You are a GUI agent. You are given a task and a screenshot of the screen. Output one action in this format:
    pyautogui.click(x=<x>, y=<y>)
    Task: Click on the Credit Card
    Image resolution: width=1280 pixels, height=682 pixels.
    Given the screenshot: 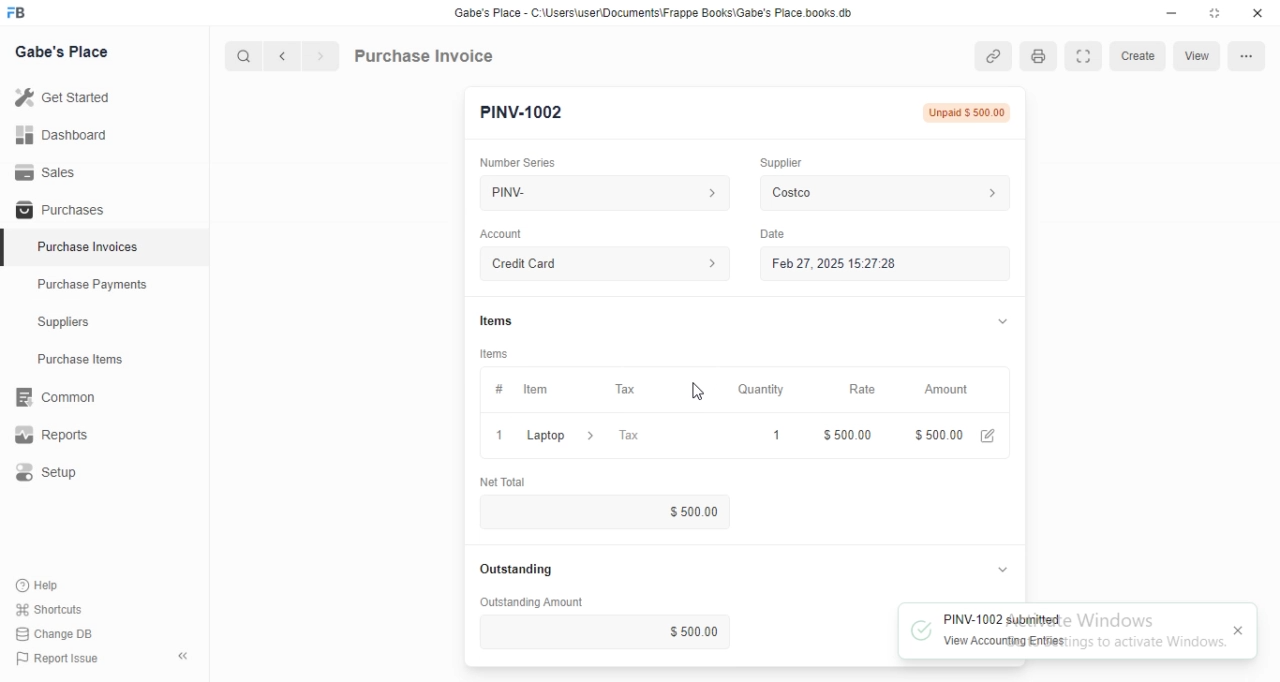 What is the action you would take?
    pyautogui.click(x=605, y=263)
    